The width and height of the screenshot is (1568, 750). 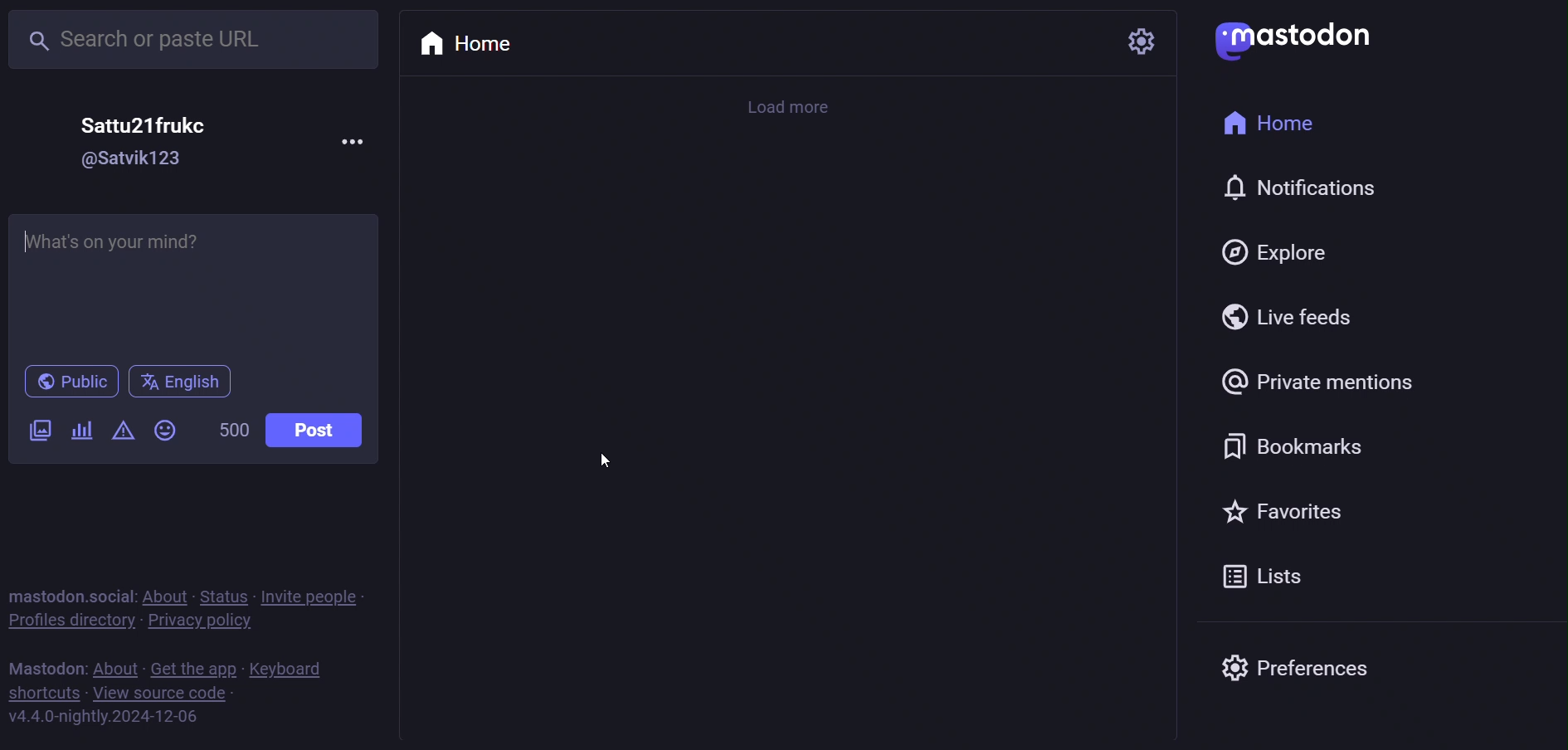 I want to click on privacy, so click(x=197, y=626).